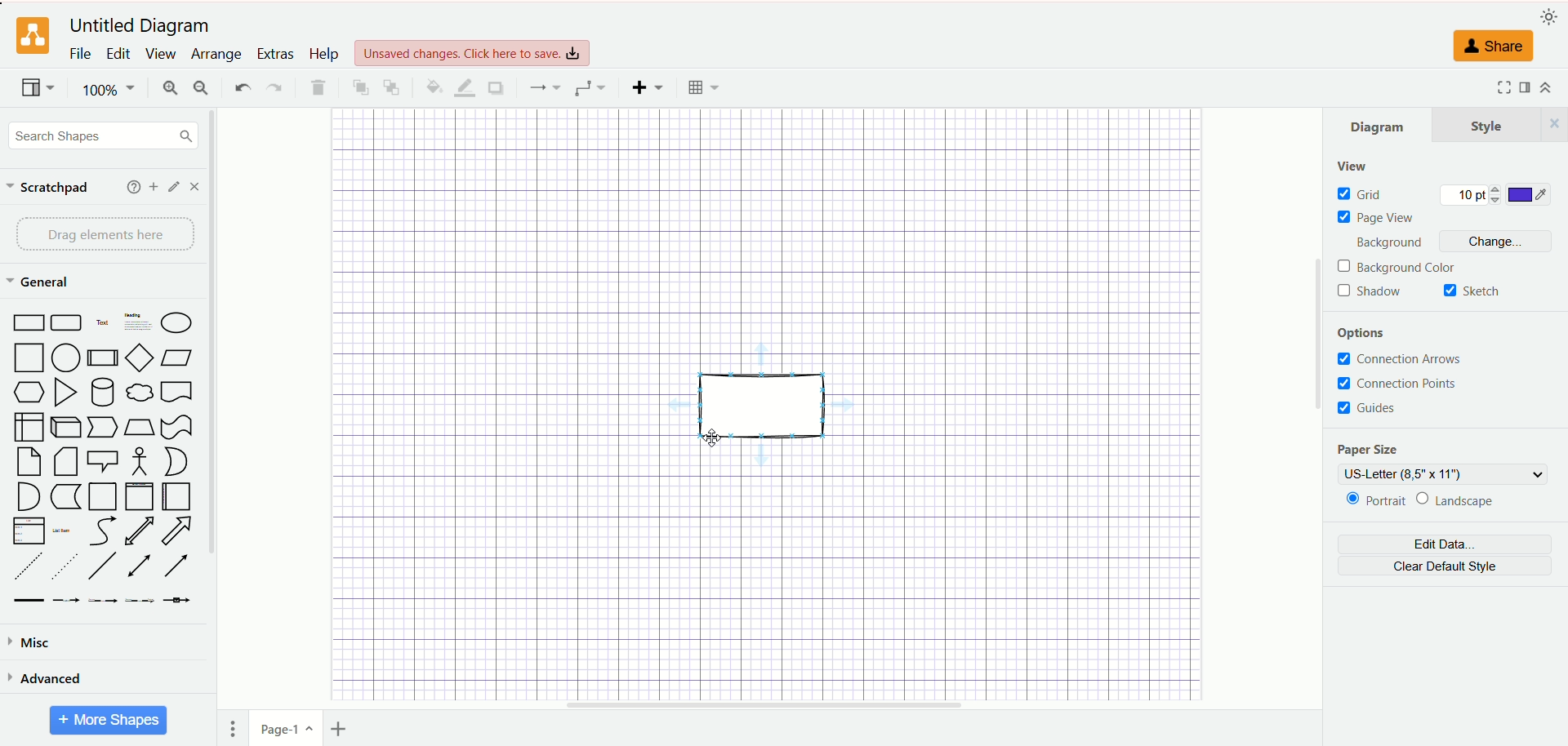 This screenshot has width=1568, height=746. Describe the element at coordinates (106, 91) in the screenshot. I see `100%` at that location.